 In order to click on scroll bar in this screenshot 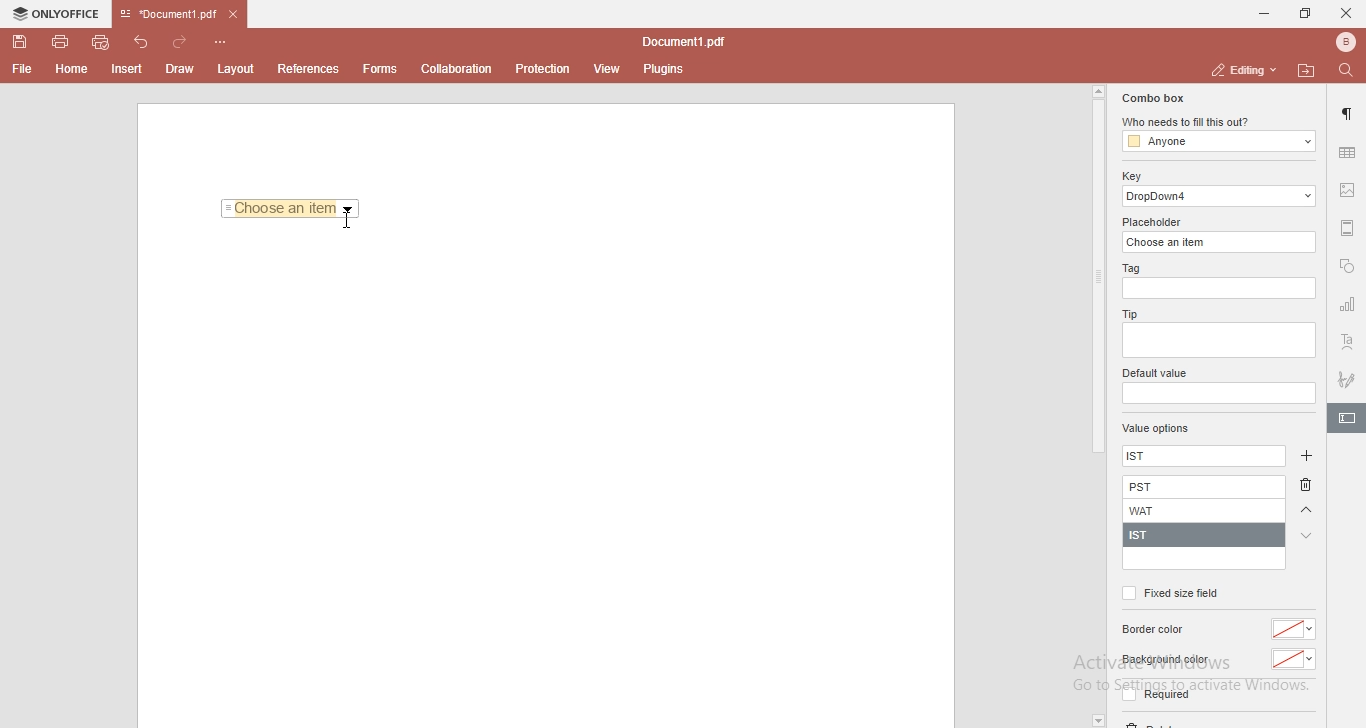, I will do `click(1097, 270)`.